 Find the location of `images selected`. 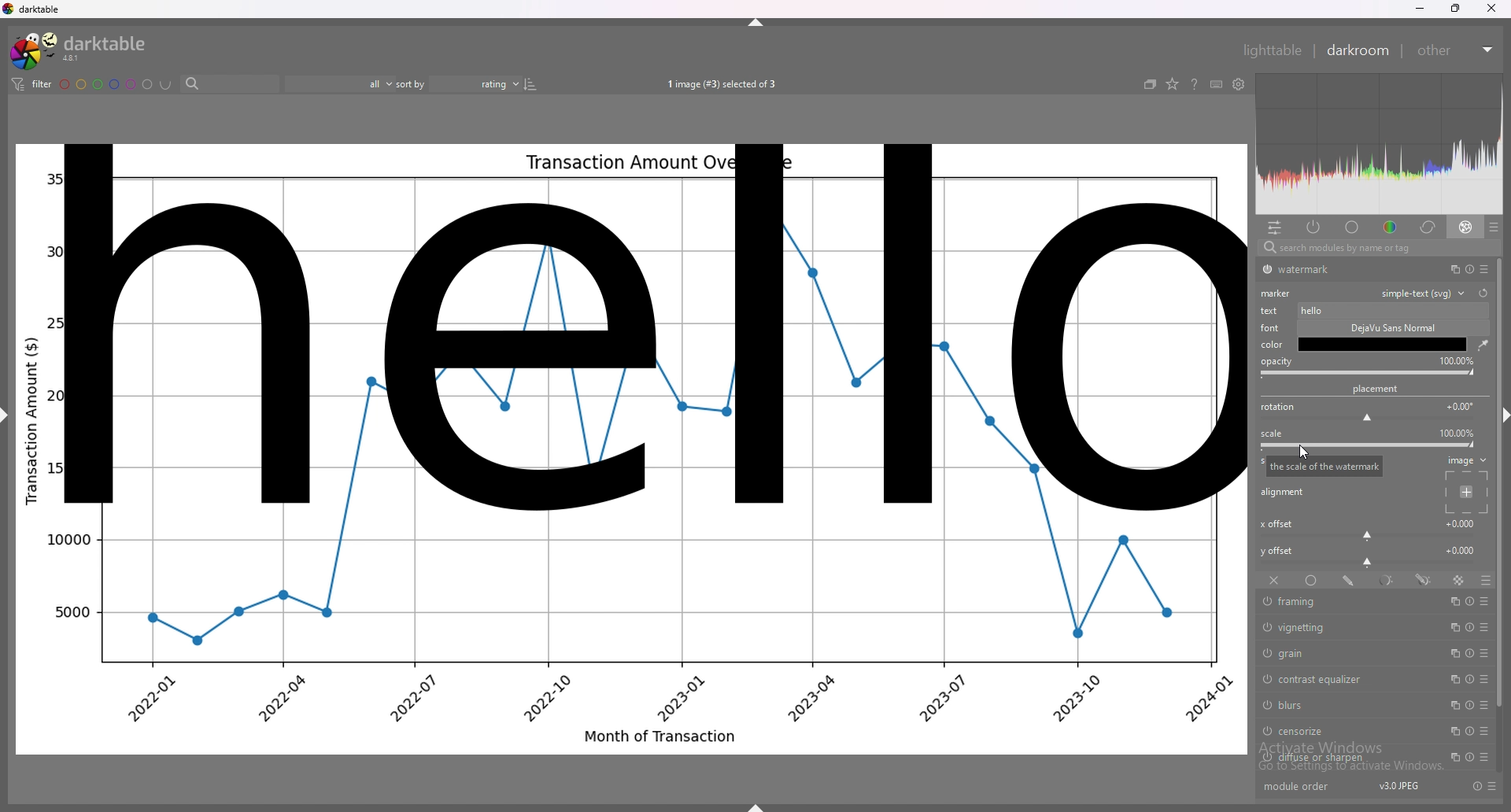

images selected is located at coordinates (719, 84).